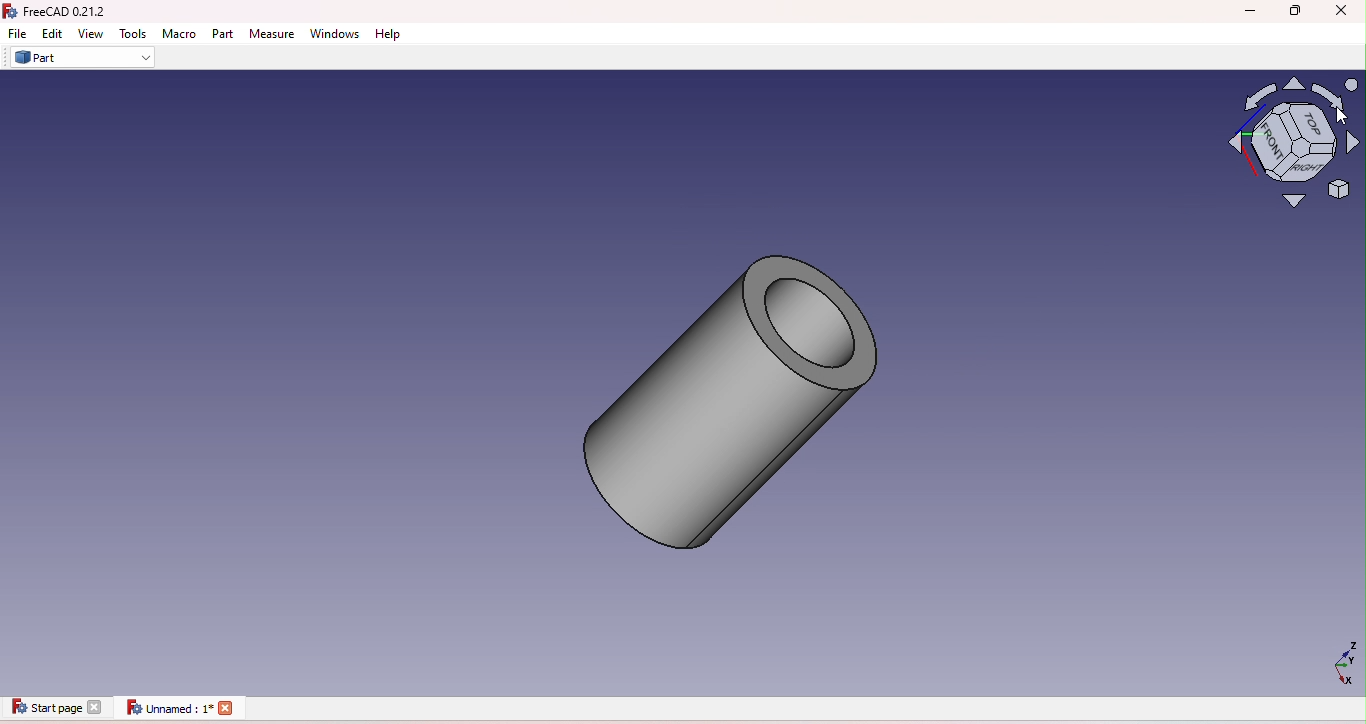 The image size is (1366, 724). What do you see at coordinates (17, 33) in the screenshot?
I see `File` at bounding box center [17, 33].